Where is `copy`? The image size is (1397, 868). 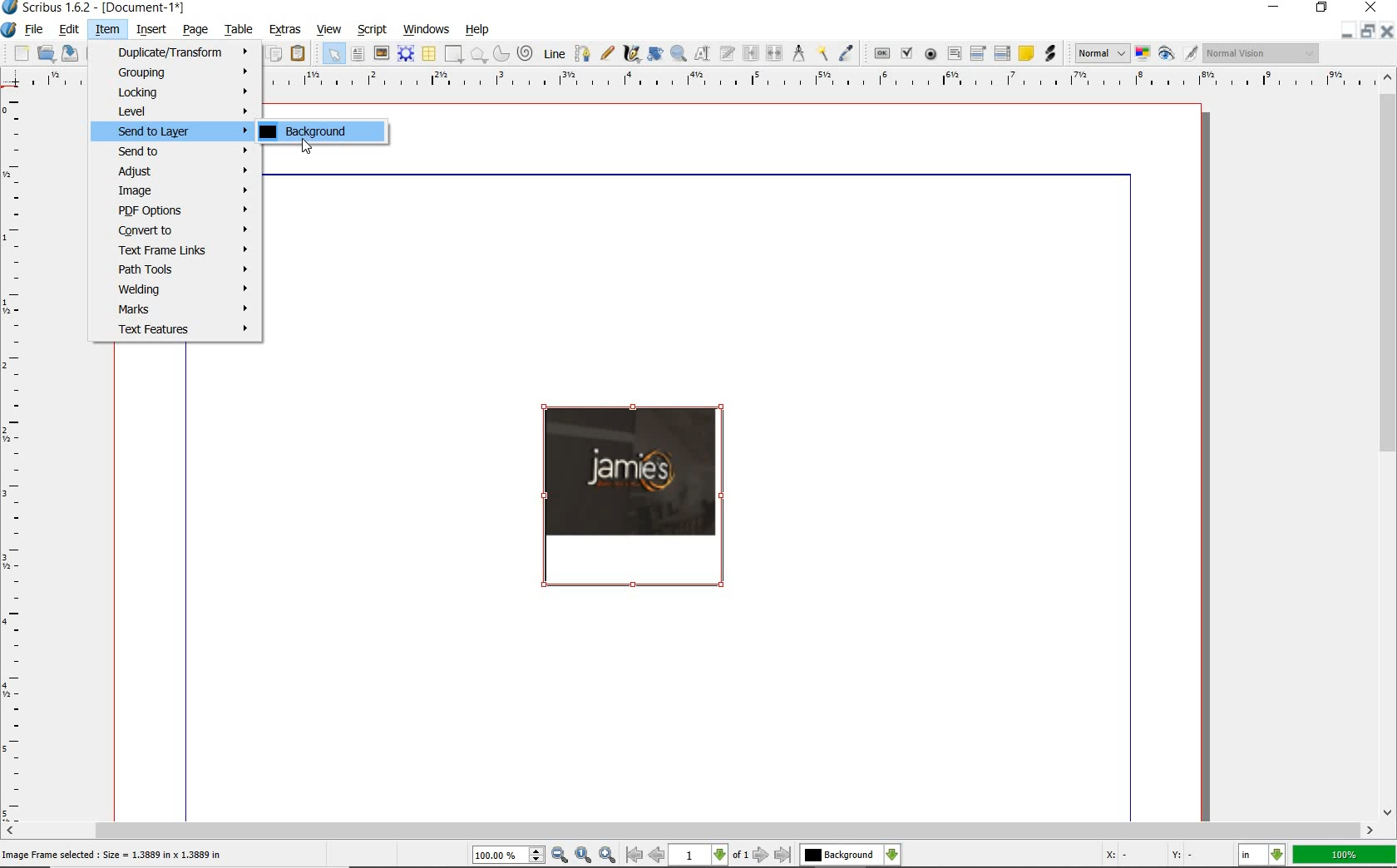 copy is located at coordinates (277, 55).